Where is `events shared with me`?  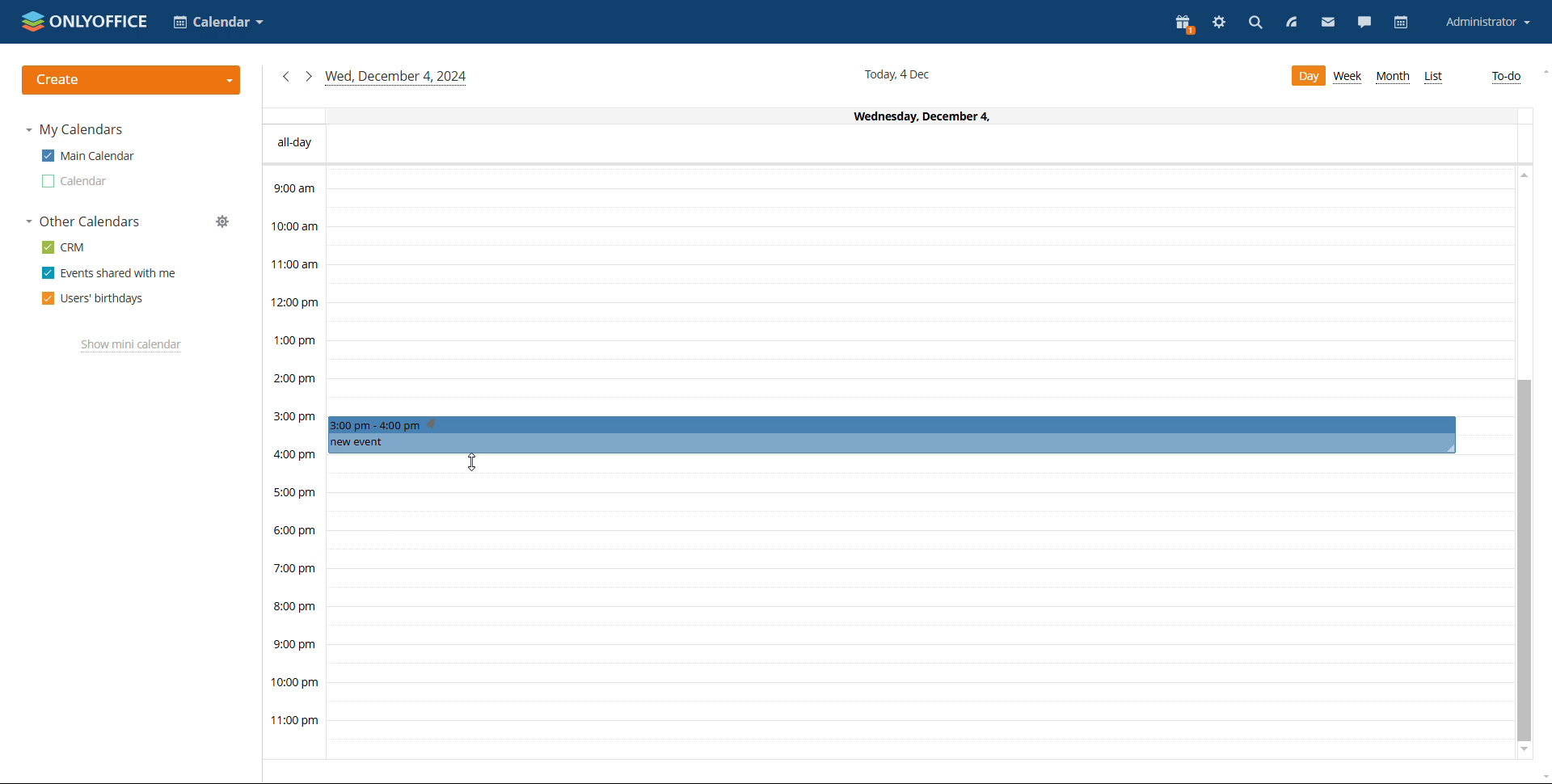
events shared with me is located at coordinates (108, 273).